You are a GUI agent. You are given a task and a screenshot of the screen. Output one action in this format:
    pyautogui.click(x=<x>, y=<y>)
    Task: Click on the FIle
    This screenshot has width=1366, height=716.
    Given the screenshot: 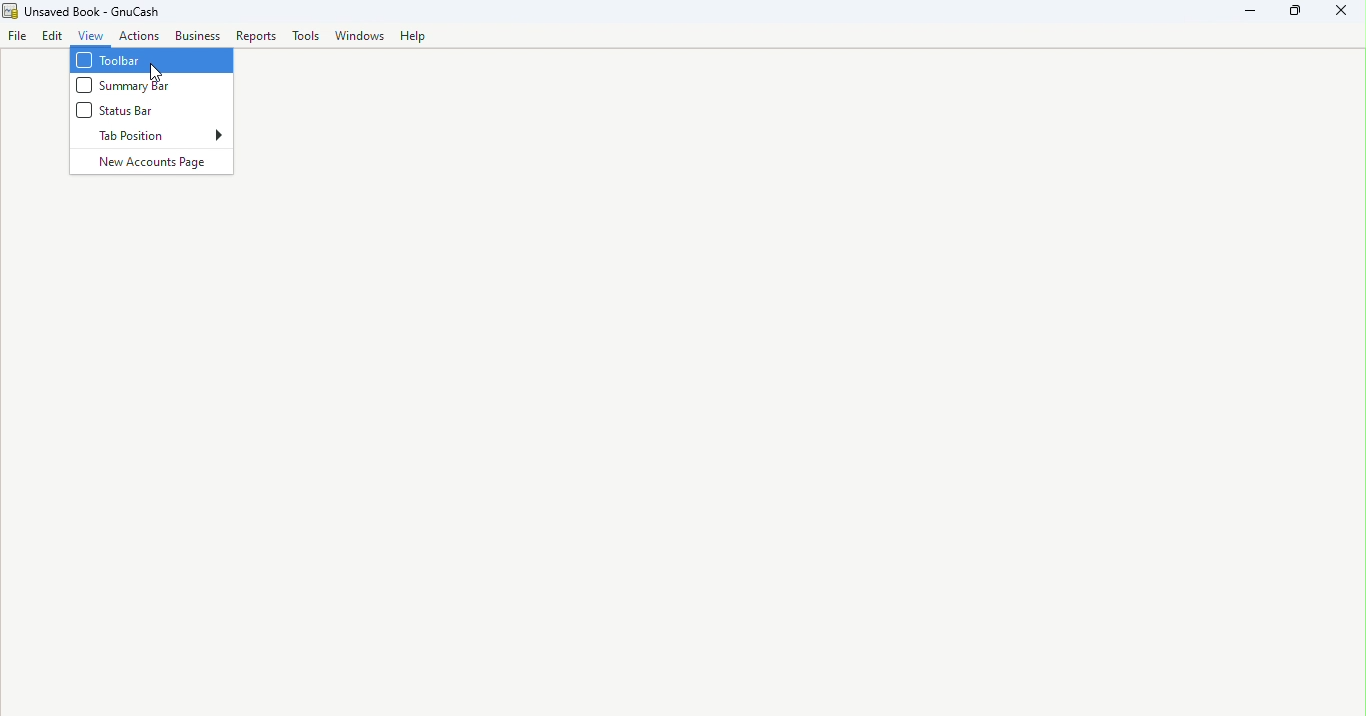 What is the action you would take?
    pyautogui.click(x=18, y=38)
    